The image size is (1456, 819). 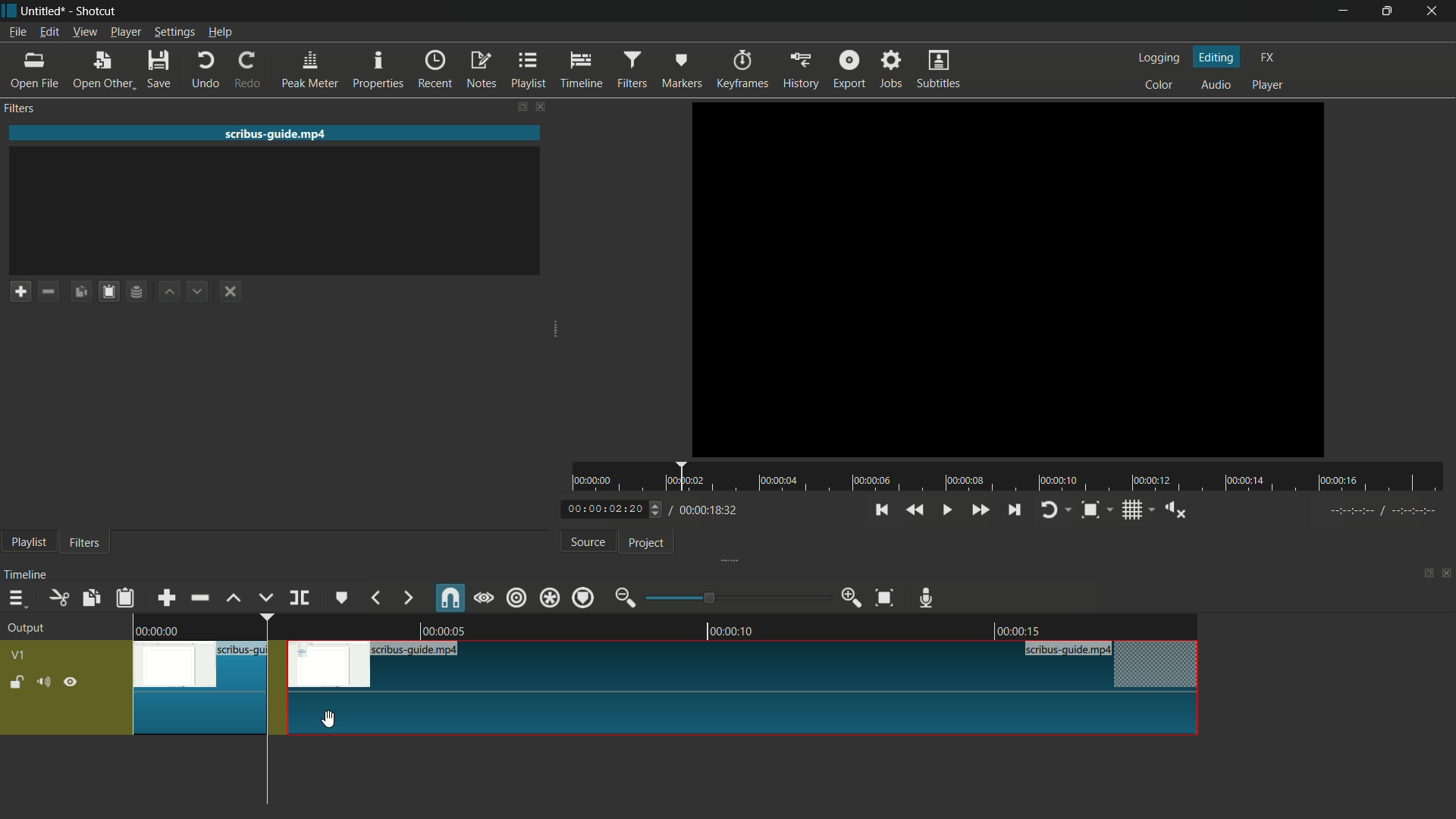 I want to click on timeline, so click(x=26, y=575).